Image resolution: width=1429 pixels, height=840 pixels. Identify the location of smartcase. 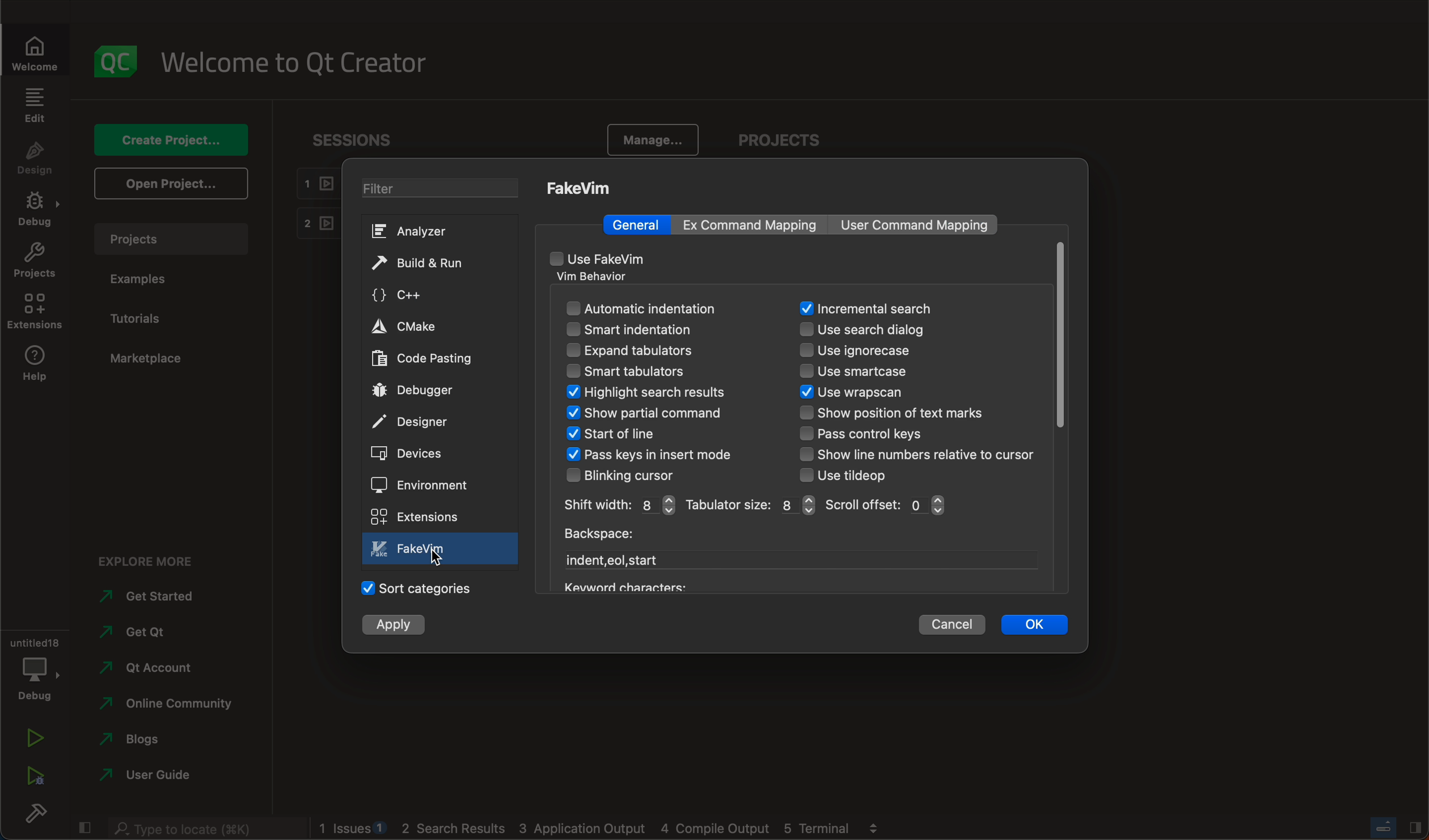
(865, 373).